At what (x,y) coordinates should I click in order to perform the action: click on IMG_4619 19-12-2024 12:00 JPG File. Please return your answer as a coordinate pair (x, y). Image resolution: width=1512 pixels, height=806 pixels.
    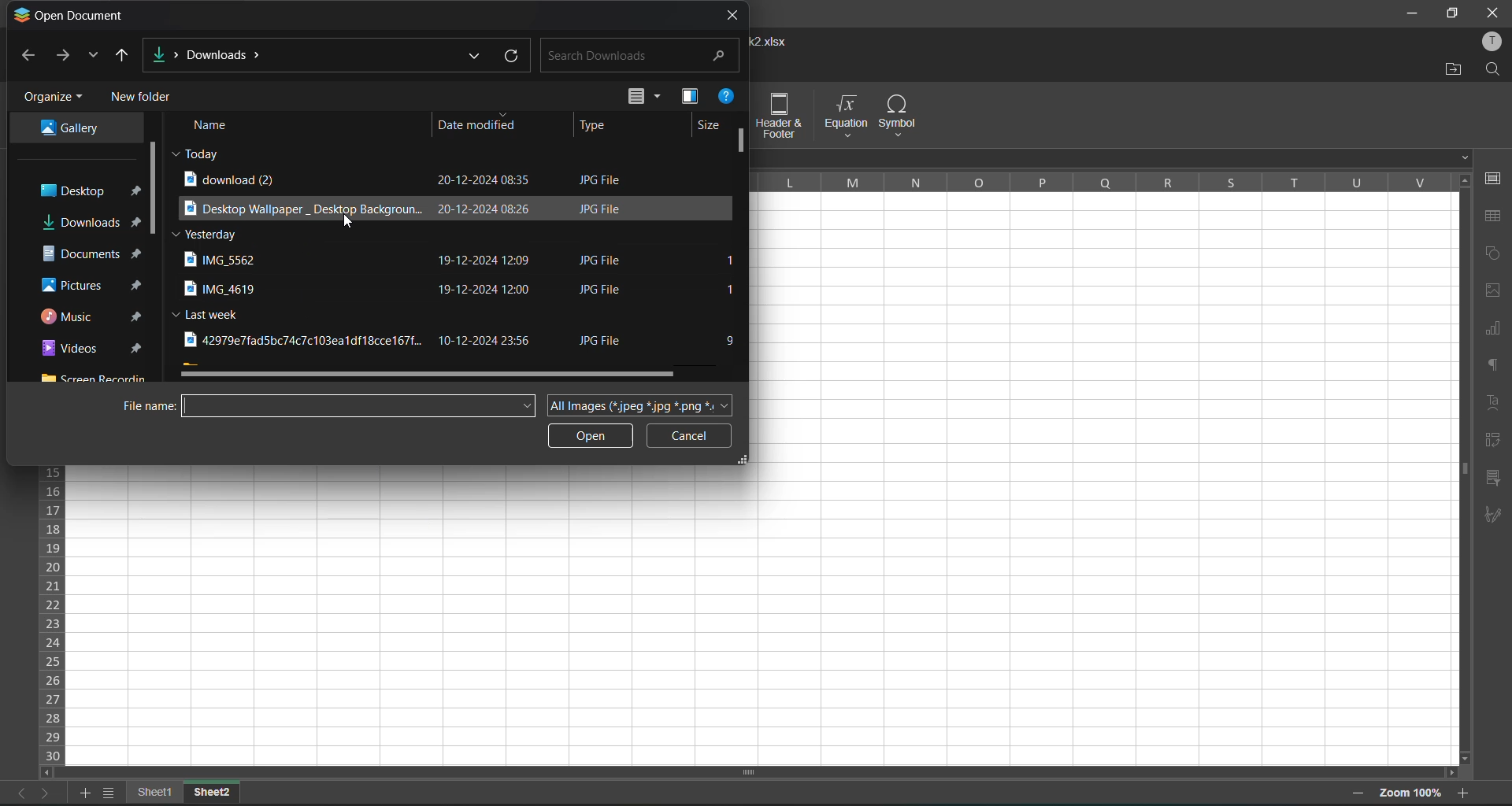
    Looking at the image, I should click on (421, 290).